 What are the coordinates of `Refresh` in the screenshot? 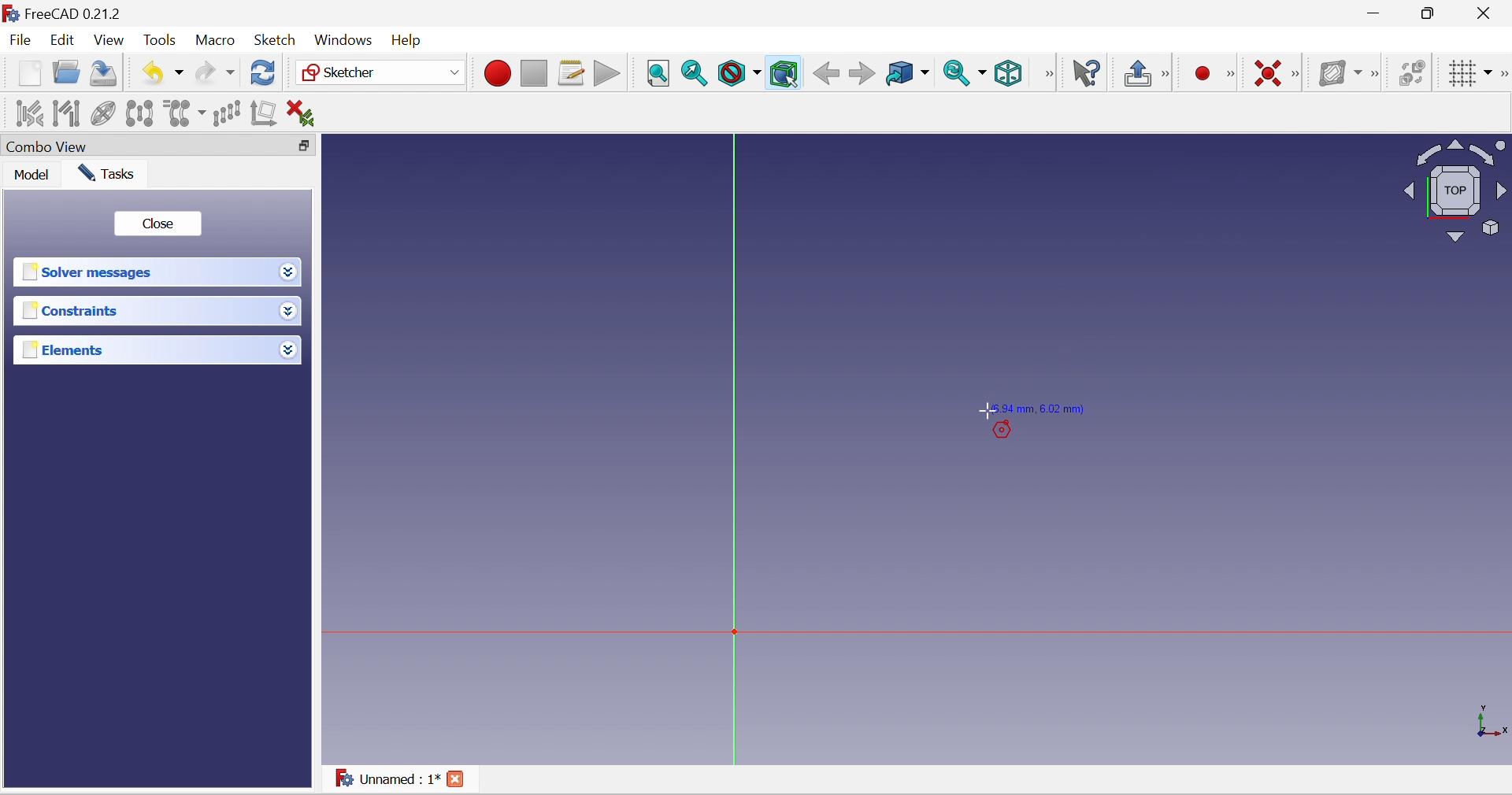 It's located at (263, 74).